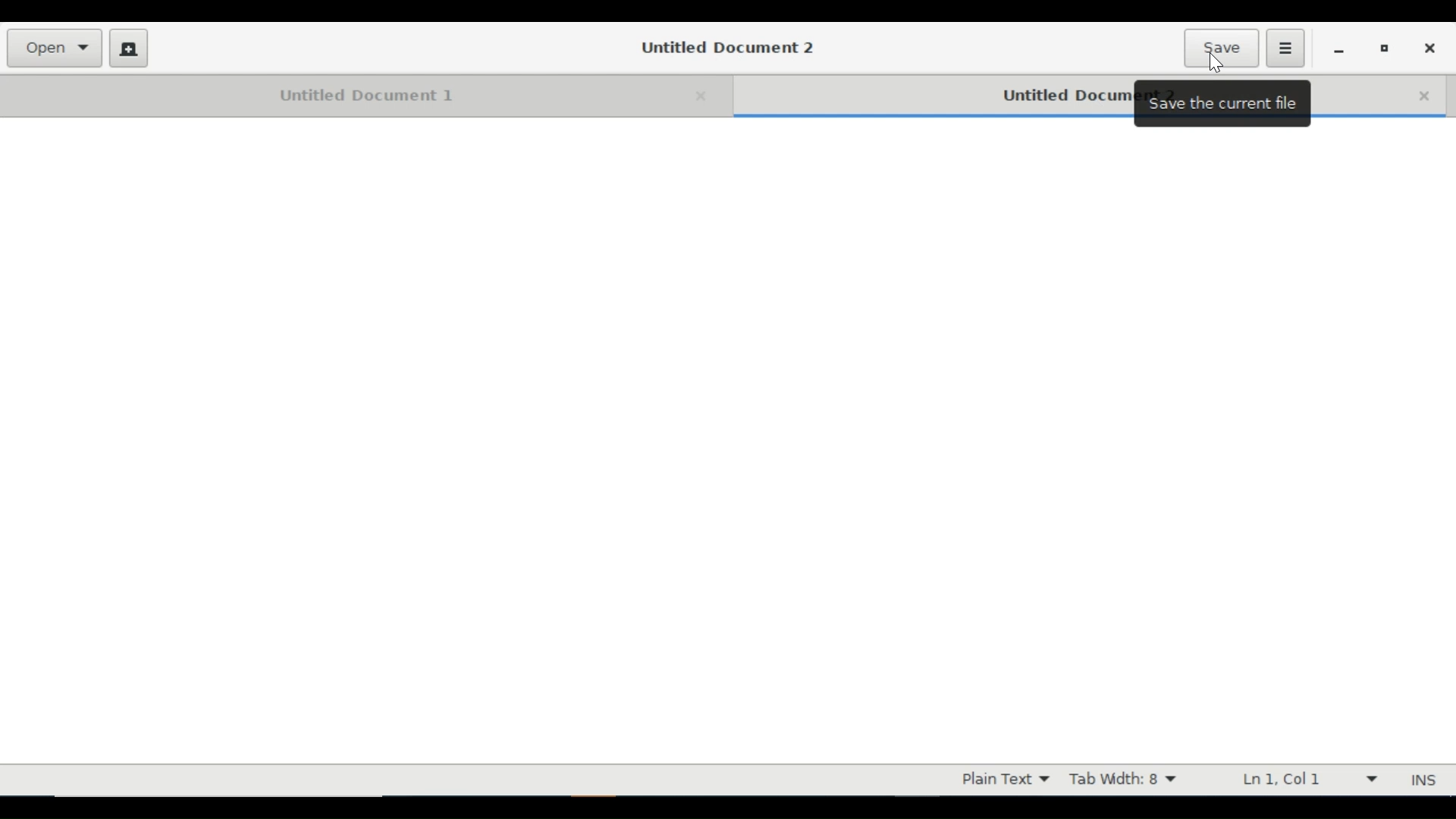  I want to click on Close, so click(1434, 48).